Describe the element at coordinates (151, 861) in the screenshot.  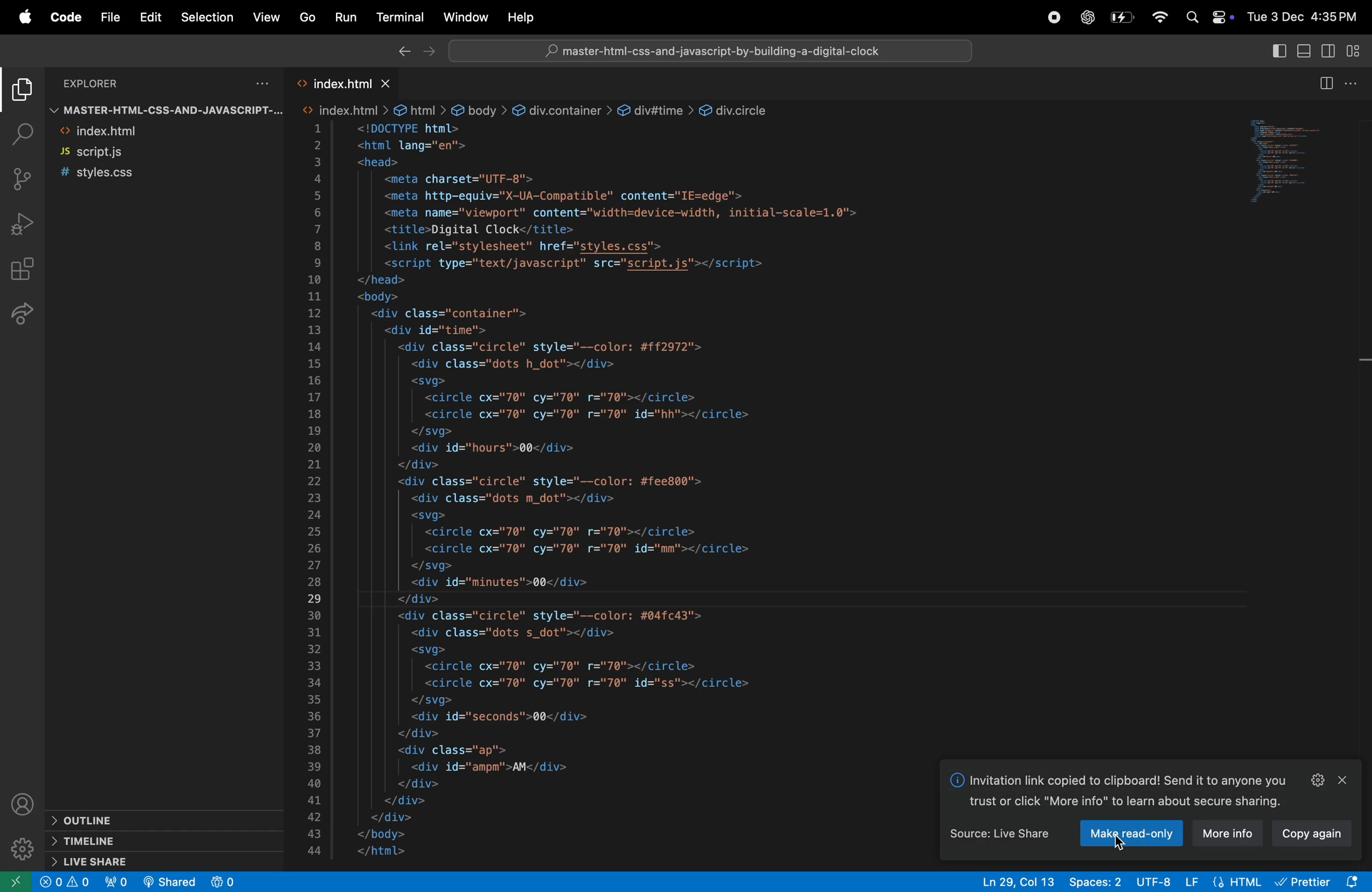
I see `live share` at that location.